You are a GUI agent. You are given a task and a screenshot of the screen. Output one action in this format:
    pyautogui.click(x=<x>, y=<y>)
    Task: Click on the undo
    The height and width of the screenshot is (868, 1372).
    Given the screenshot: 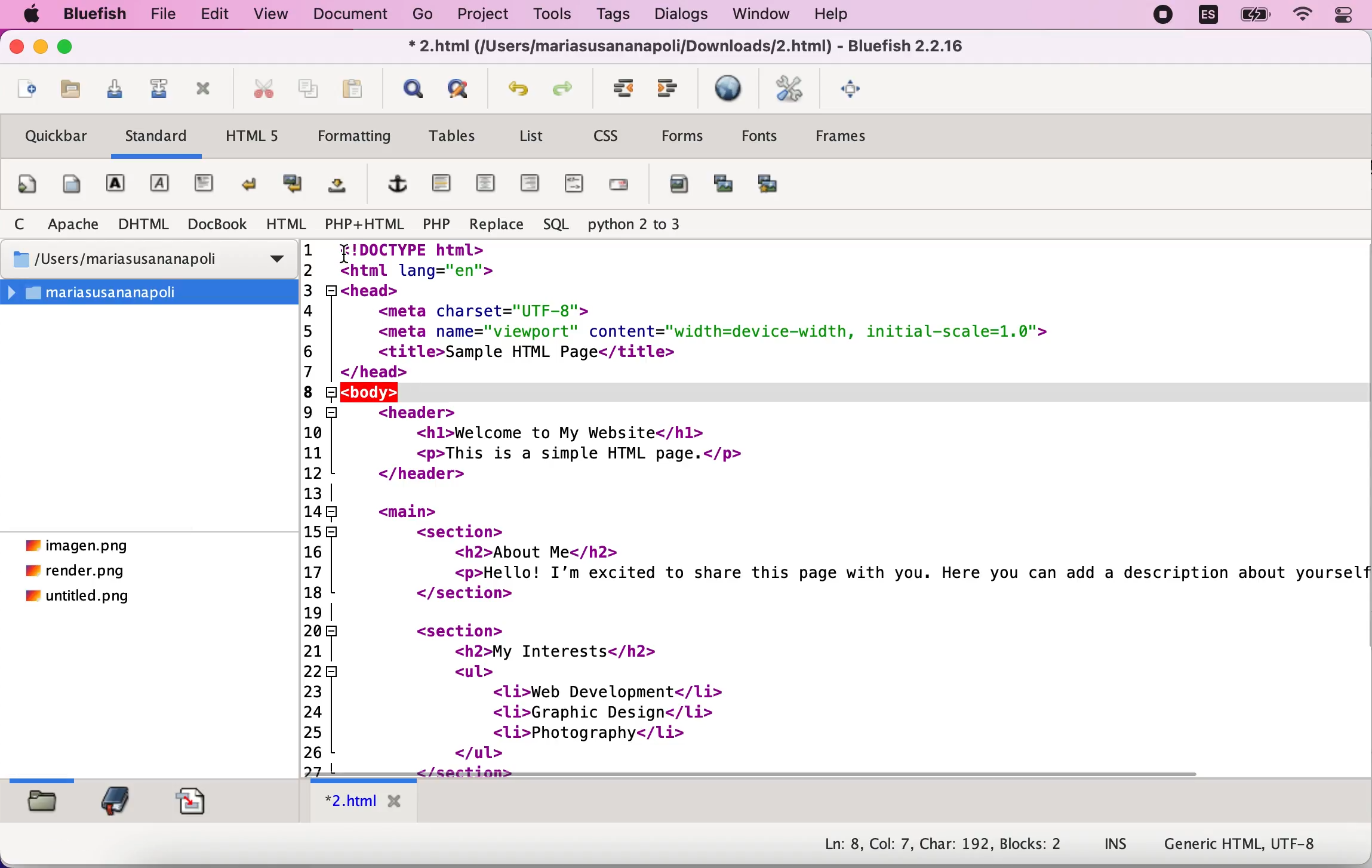 What is the action you would take?
    pyautogui.click(x=519, y=88)
    